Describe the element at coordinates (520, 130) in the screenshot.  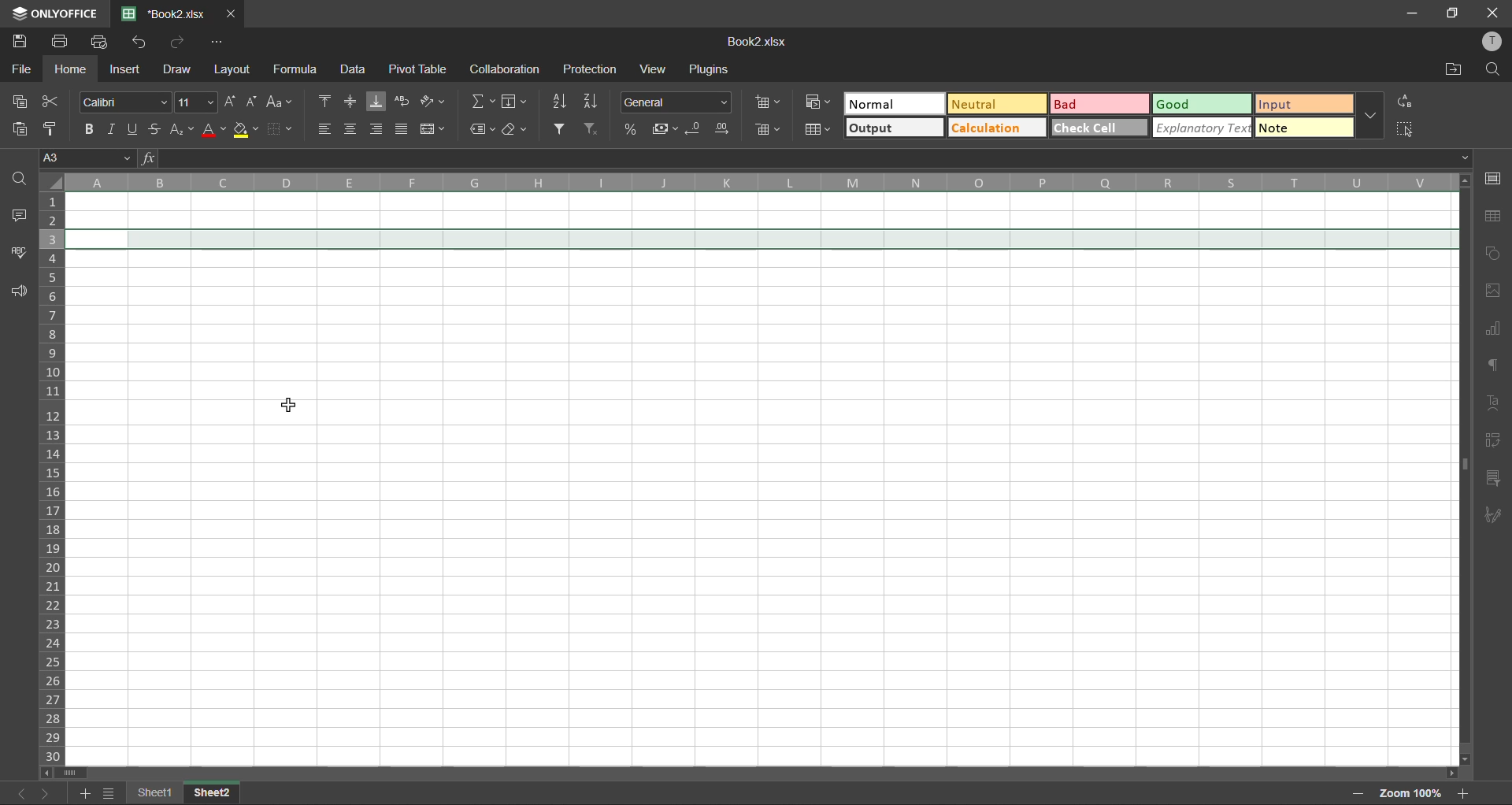
I see `clear` at that location.